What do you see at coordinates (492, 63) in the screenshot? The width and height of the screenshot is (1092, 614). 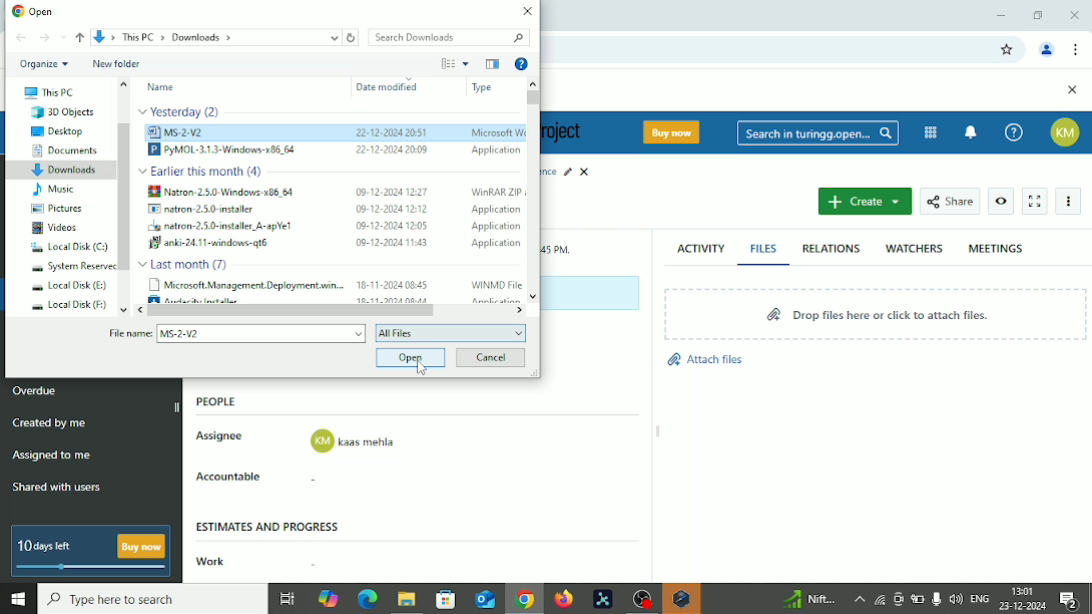 I see `Show the previous pane` at bounding box center [492, 63].